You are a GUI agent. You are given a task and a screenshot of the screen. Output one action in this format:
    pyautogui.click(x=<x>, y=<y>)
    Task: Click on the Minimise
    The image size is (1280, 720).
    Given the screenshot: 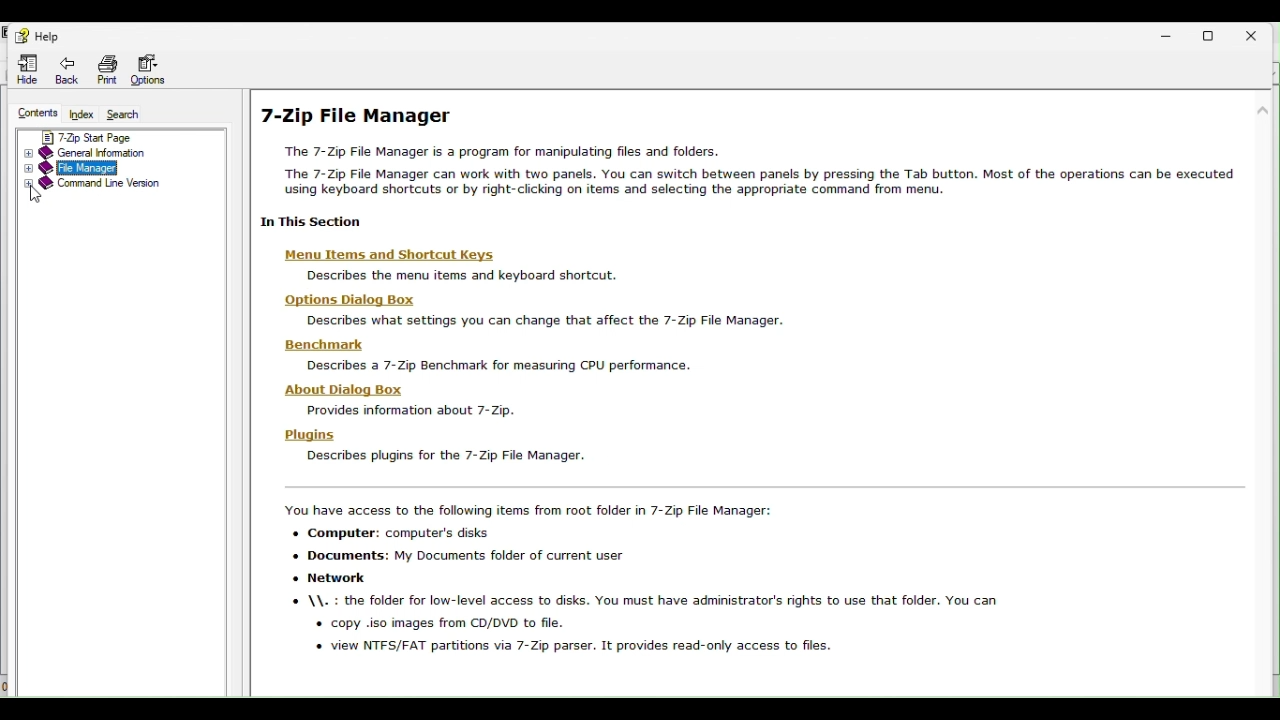 What is the action you would take?
    pyautogui.click(x=1176, y=33)
    